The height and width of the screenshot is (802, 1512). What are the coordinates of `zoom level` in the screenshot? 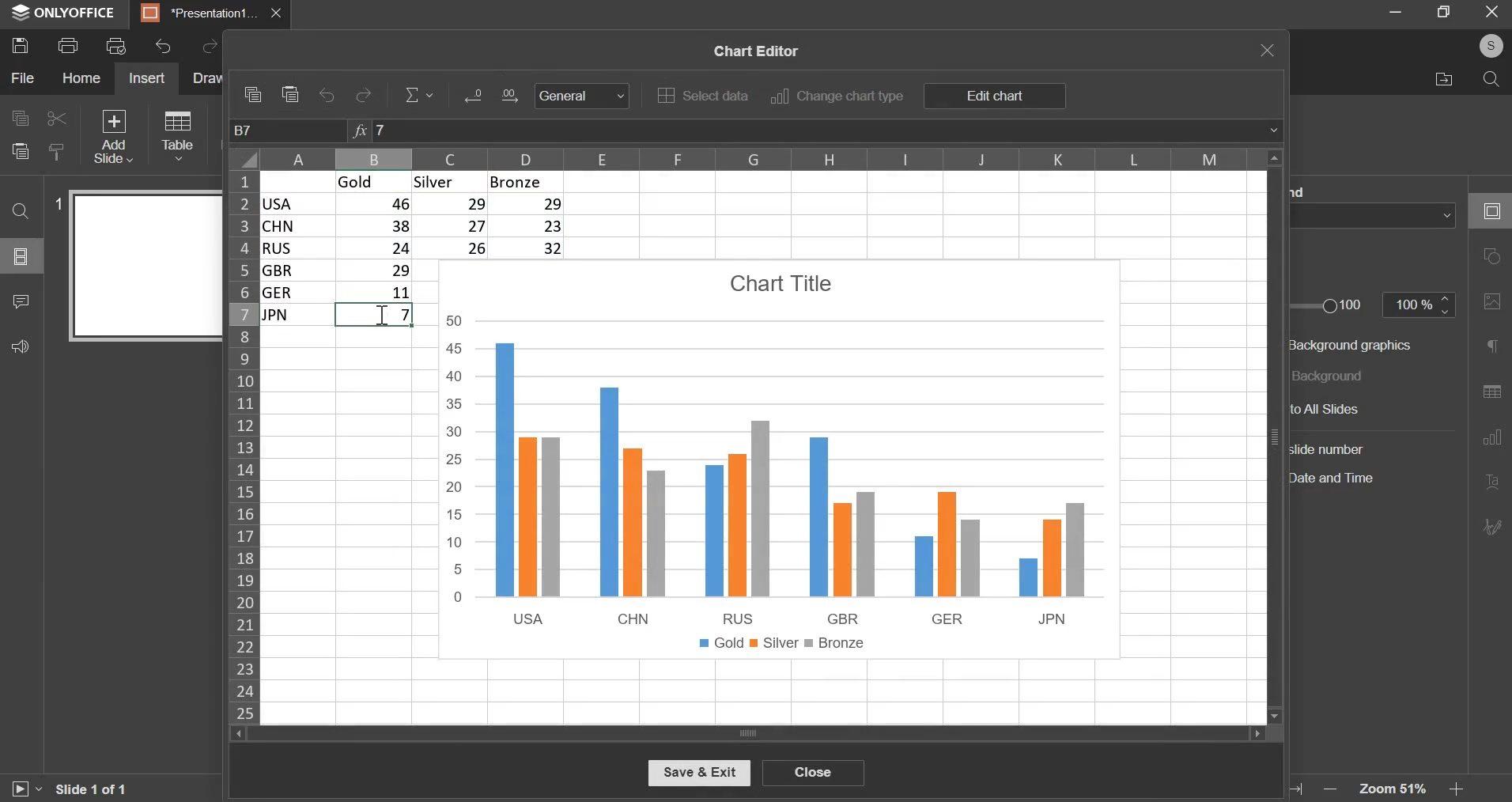 It's located at (1392, 789).